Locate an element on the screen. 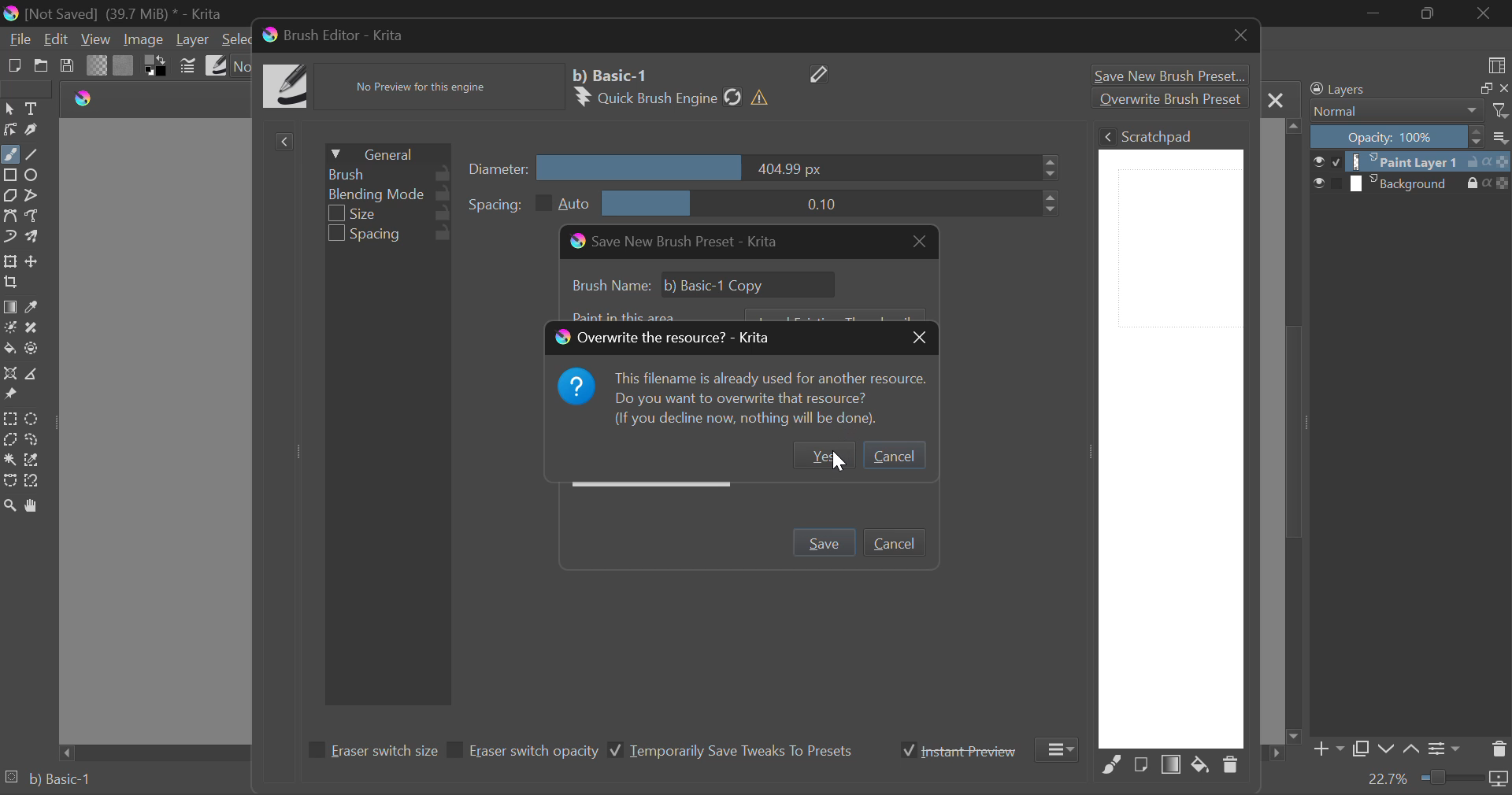  Move Layer Down is located at coordinates (1388, 749).